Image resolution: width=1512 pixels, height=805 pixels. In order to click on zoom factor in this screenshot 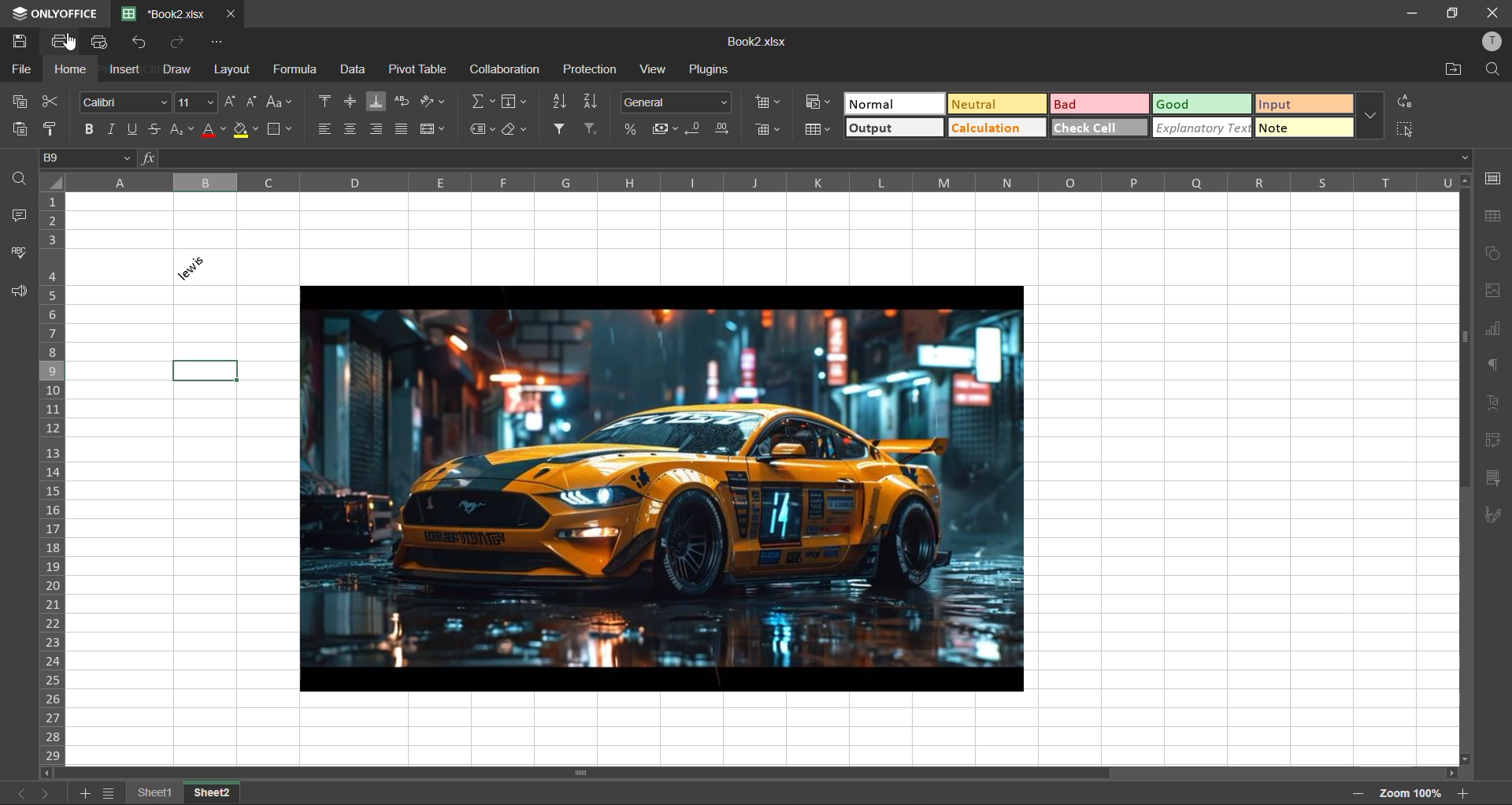, I will do `click(1413, 793)`.